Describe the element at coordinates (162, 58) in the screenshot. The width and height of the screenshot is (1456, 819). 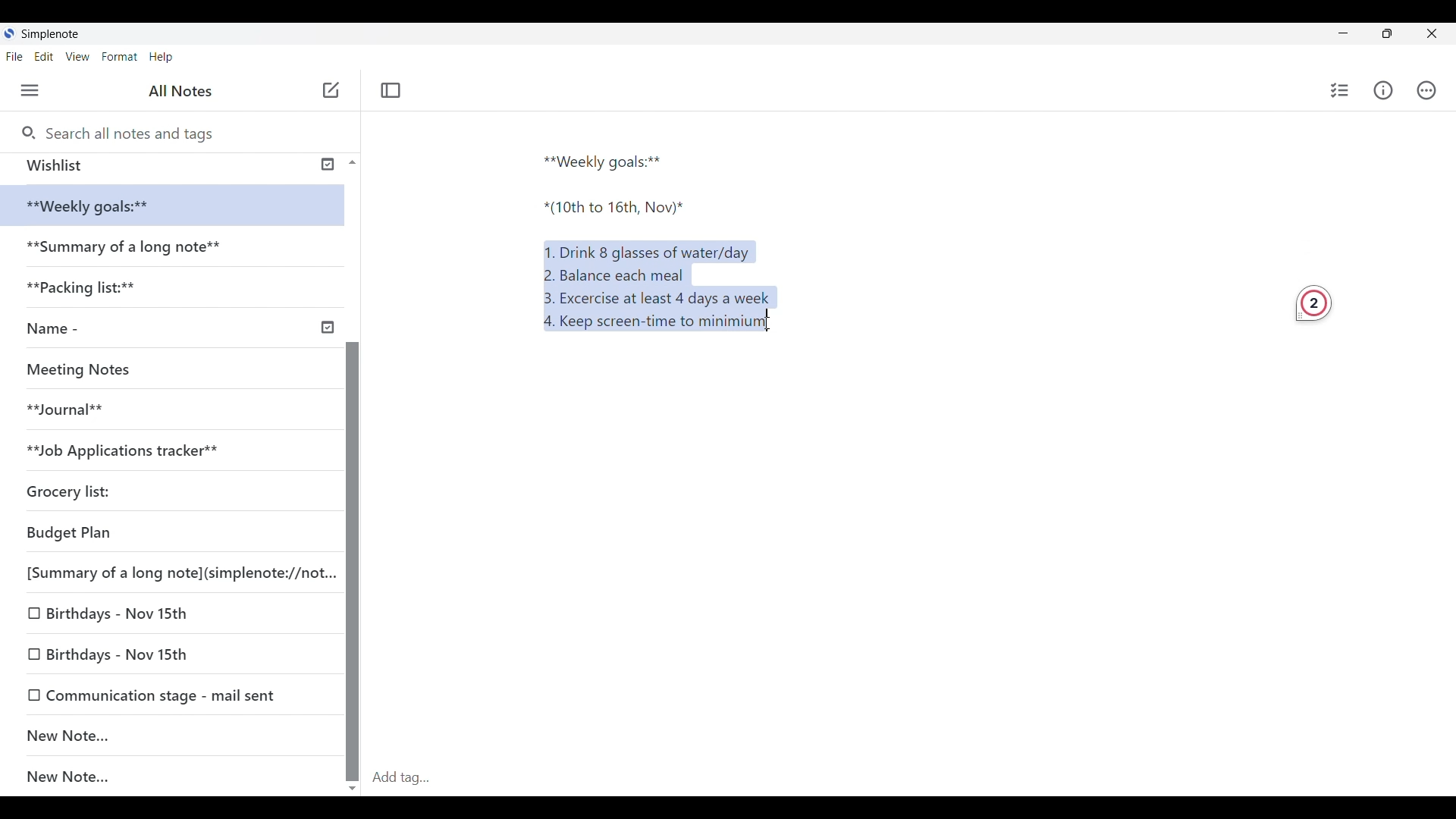
I see `Help` at that location.